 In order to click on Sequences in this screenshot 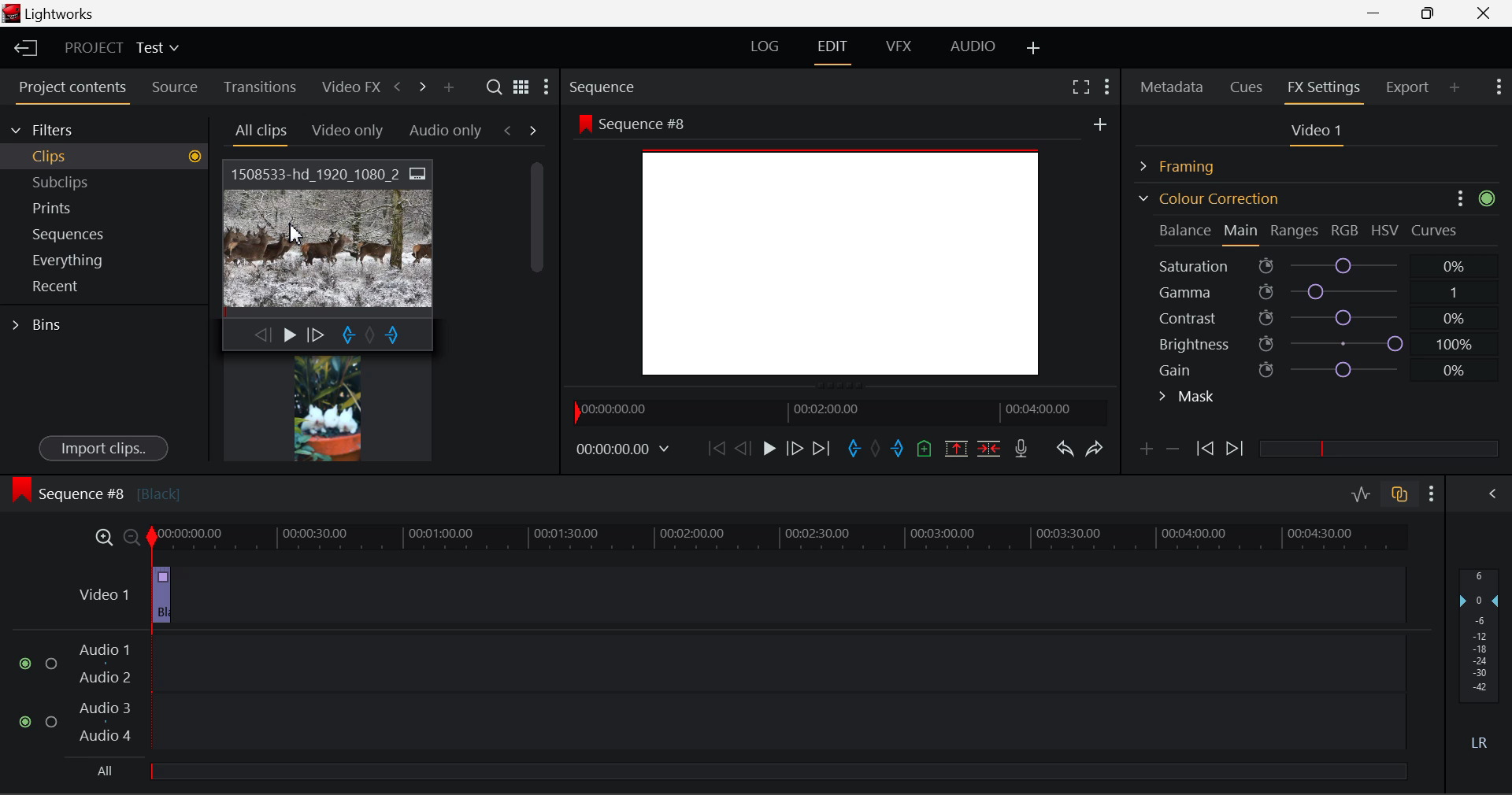, I will do `click(72, 232)`.